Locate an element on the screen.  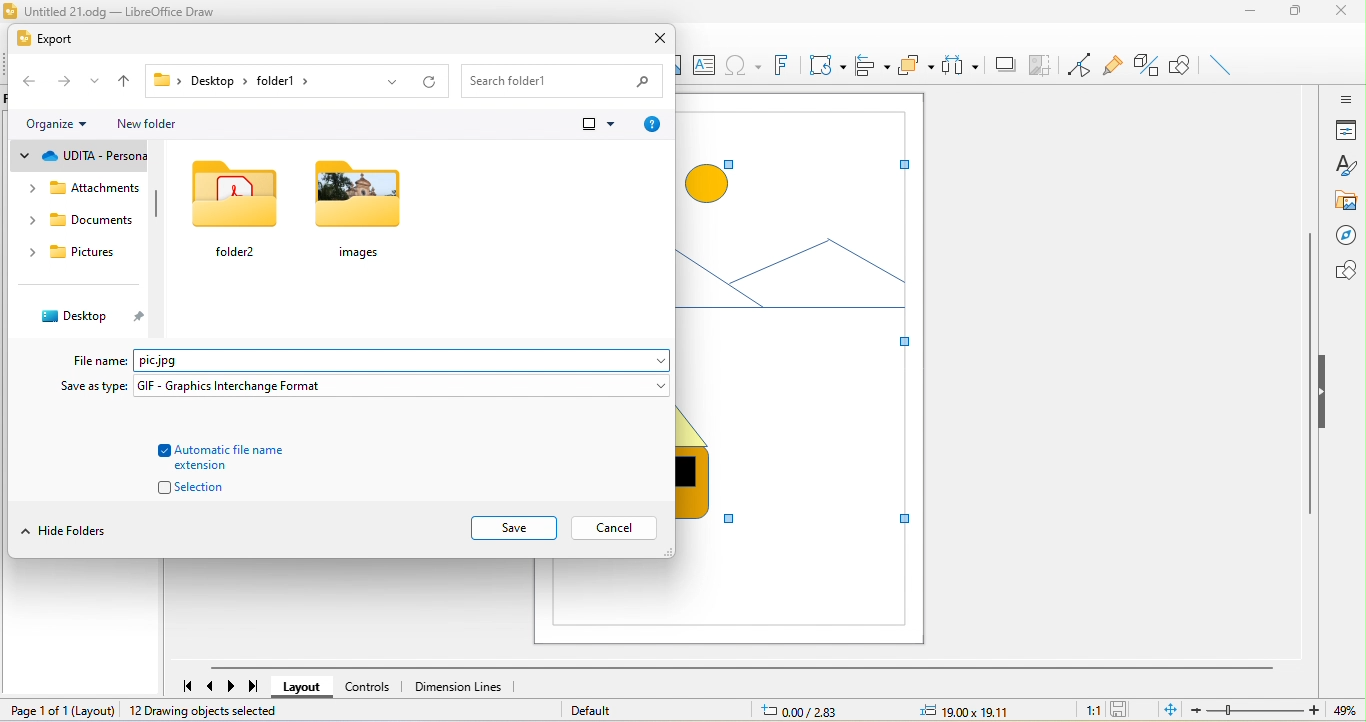
style is located at coordinates (1347, 165).